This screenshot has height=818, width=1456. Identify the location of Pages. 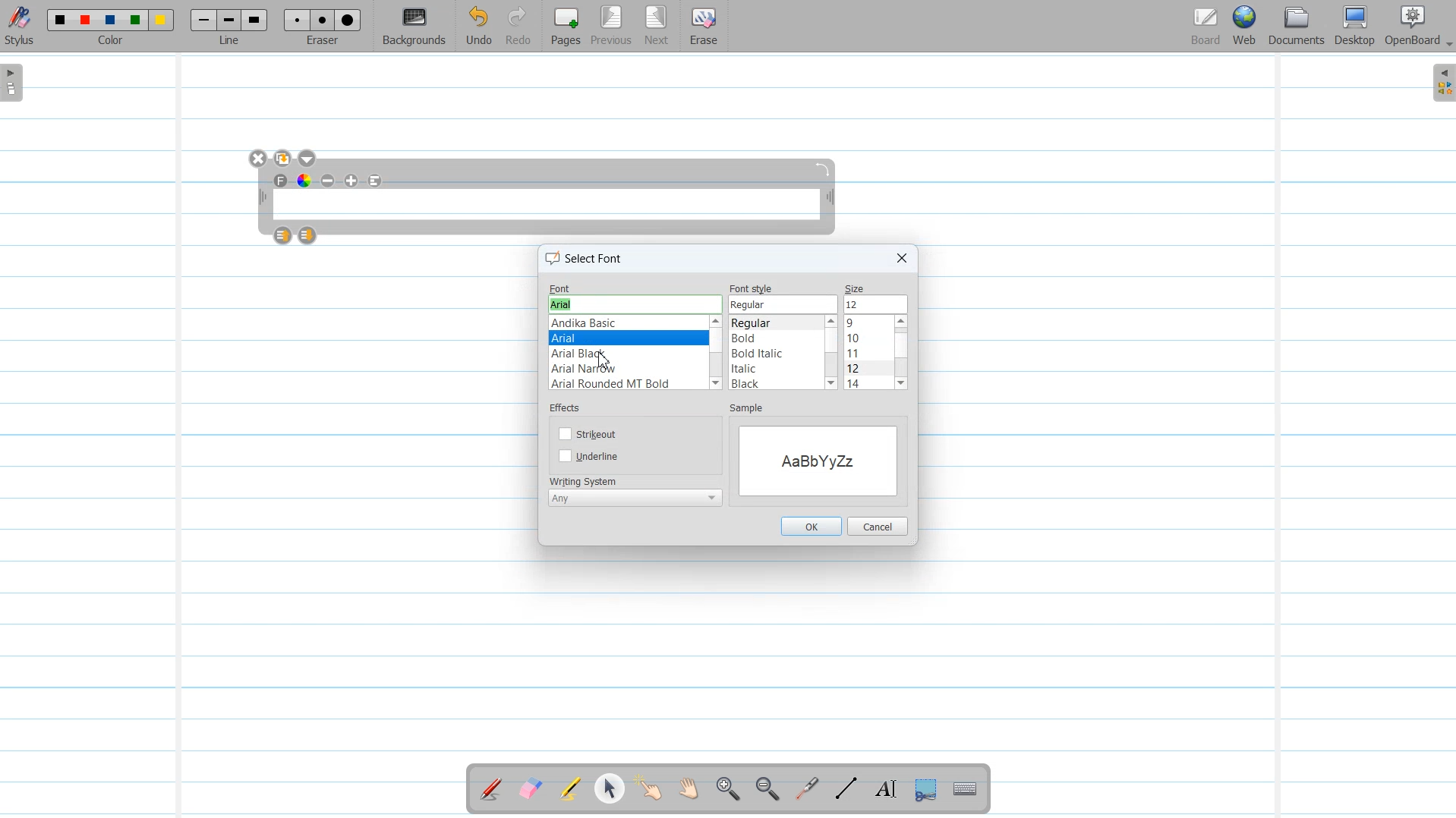
(564, 26).